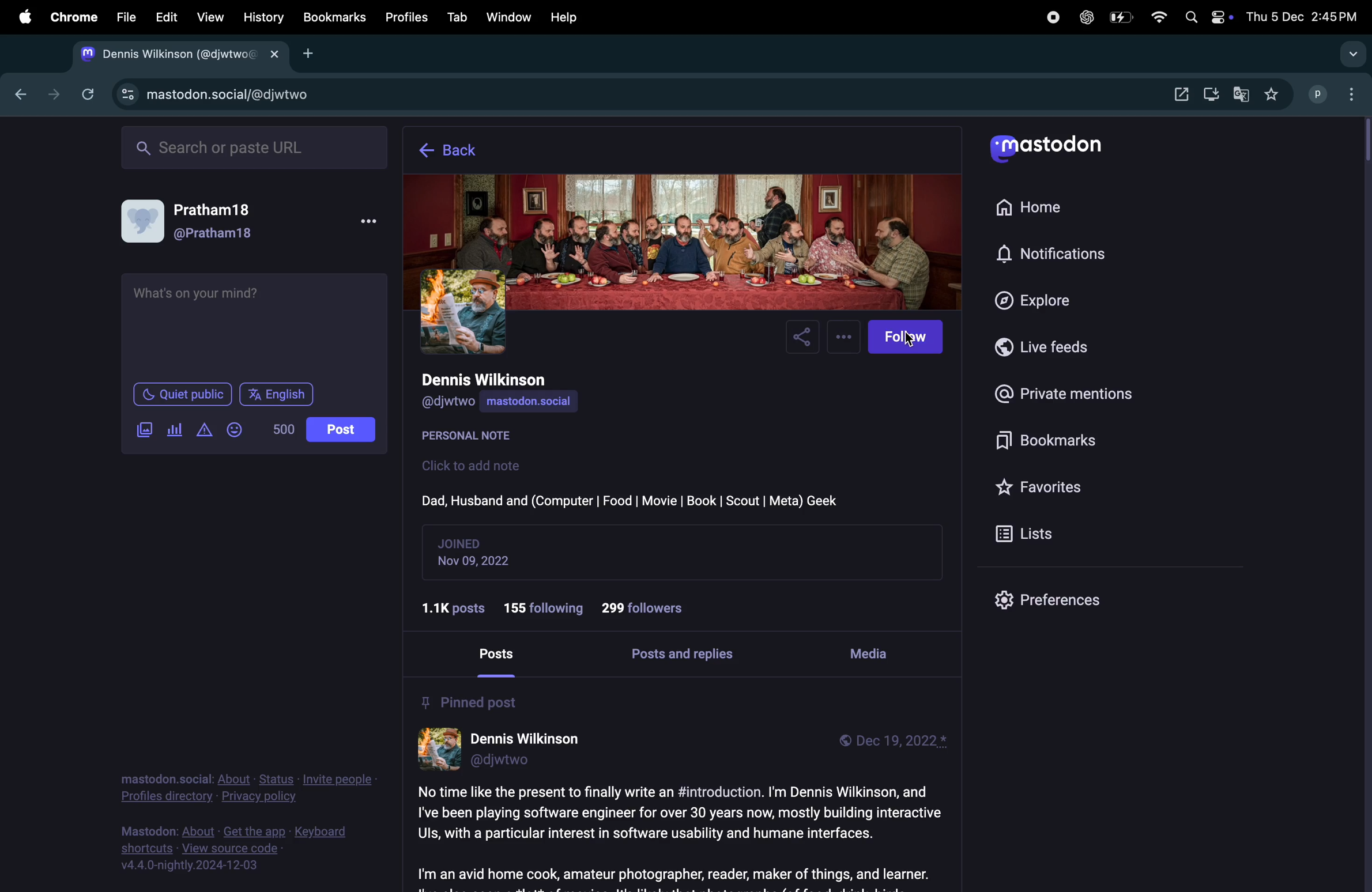 The width and height of the screenshot is (1372, 892). What do you see at coordinates (476, 466) in the screenshot?
I see `click and note` at bounding box center [476, 466].